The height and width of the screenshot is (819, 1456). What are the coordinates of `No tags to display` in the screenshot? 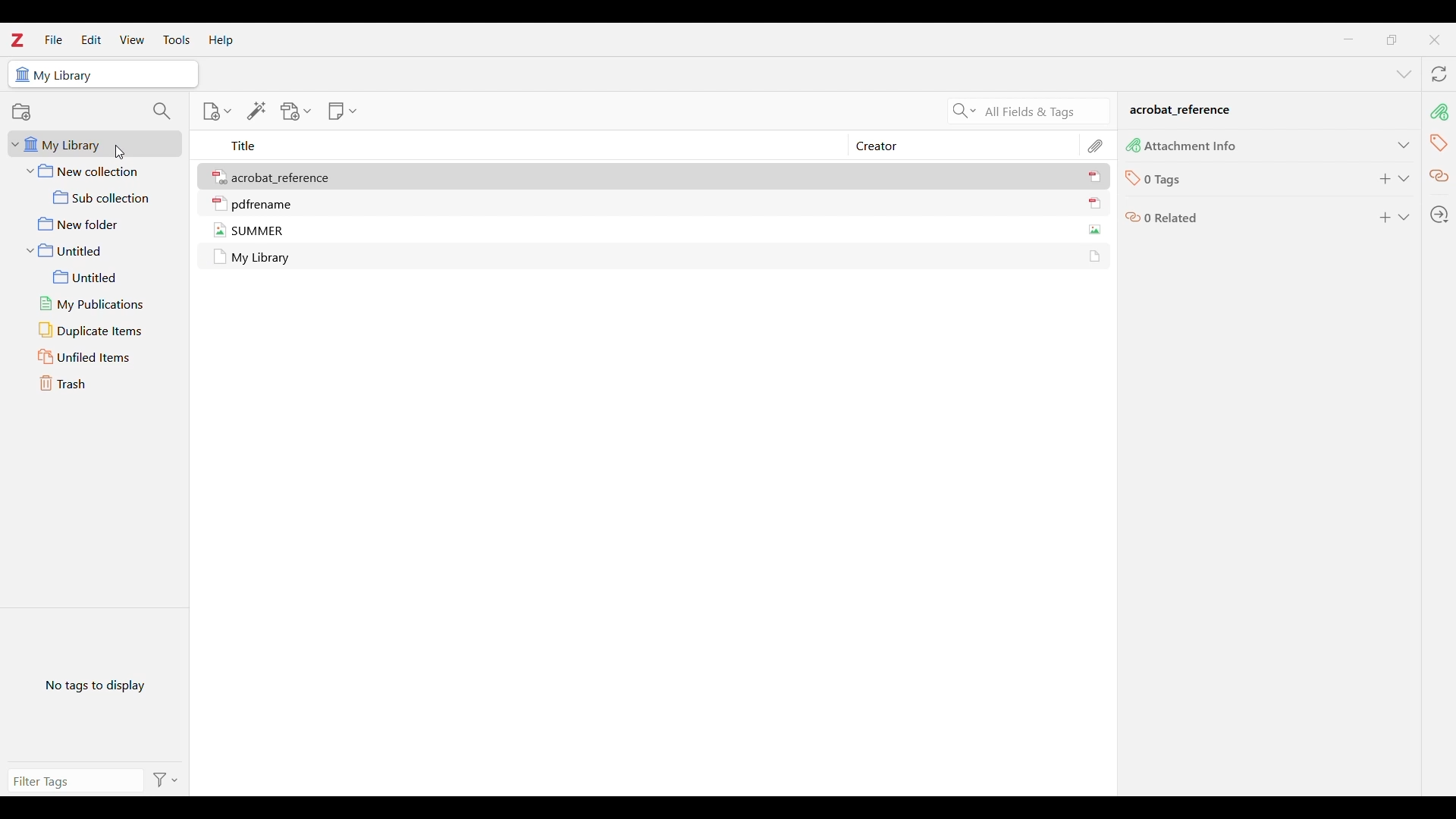 It's located at (96, 685).